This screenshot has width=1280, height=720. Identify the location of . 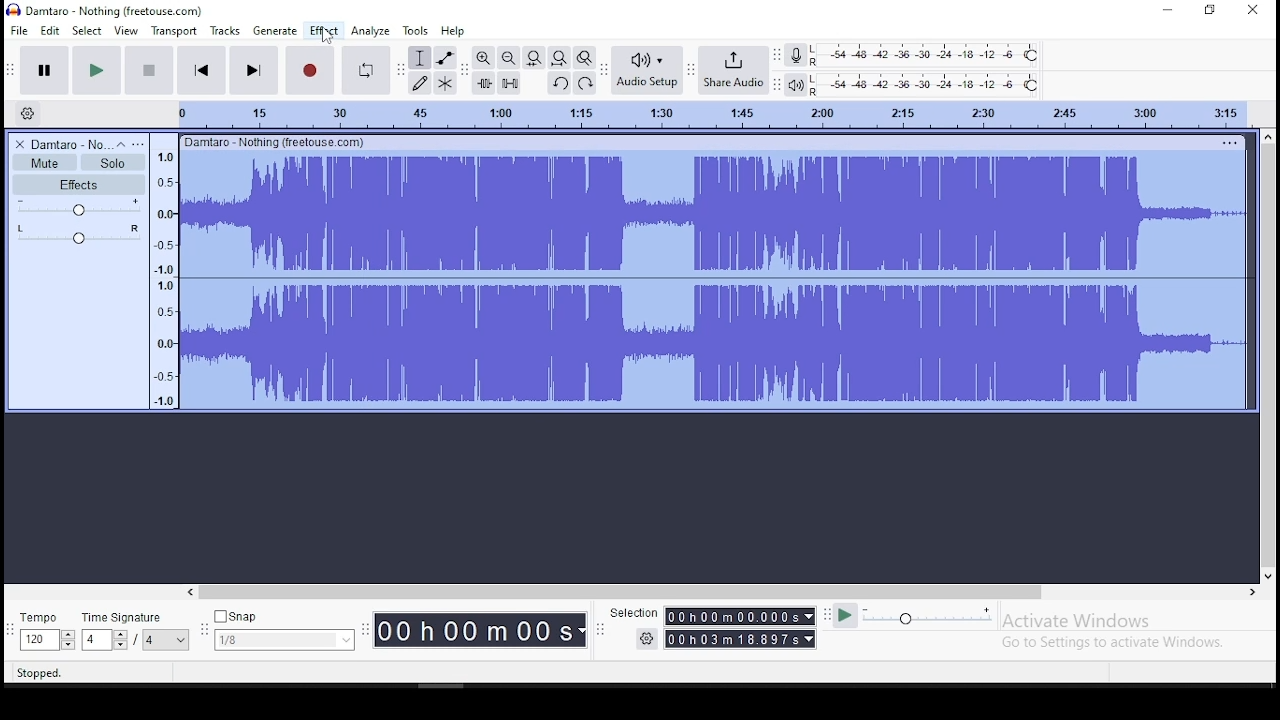
(600, 630).